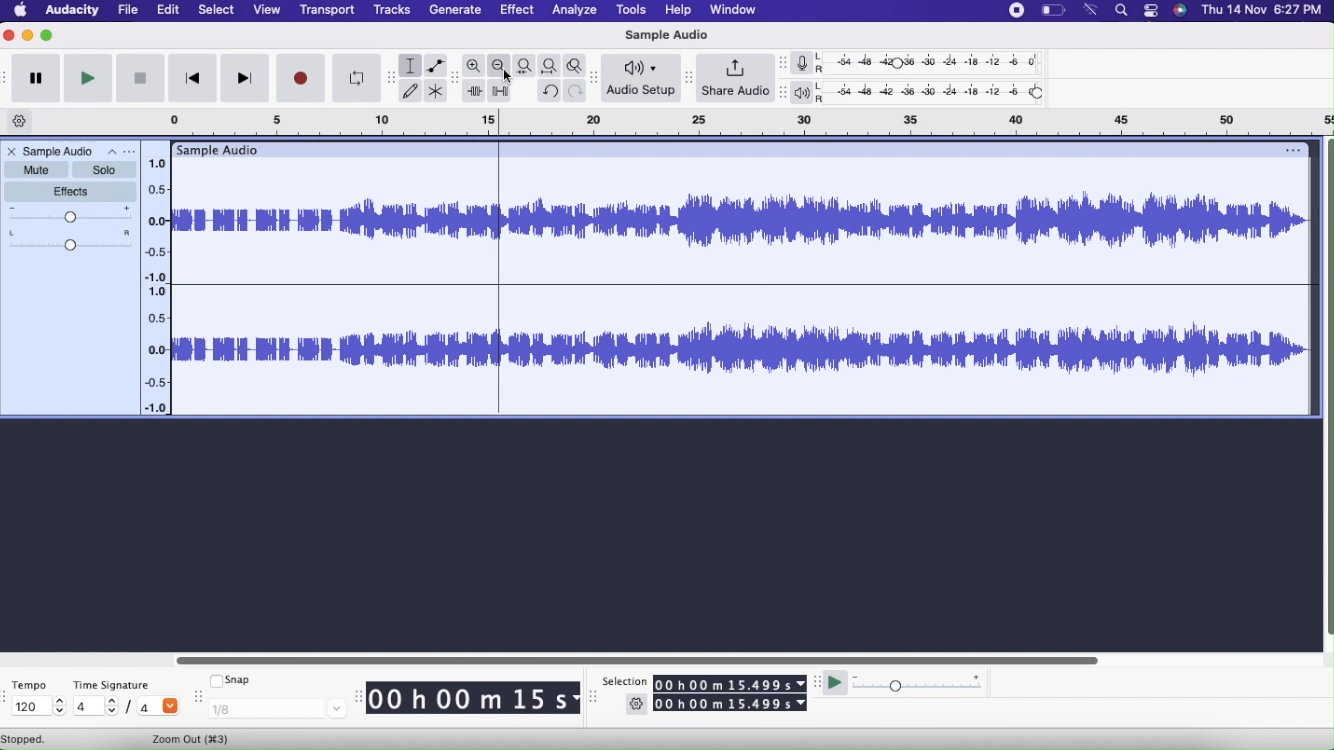 The image size is (1334, 750). I want to click on Selection Tool, so click(410, 64).